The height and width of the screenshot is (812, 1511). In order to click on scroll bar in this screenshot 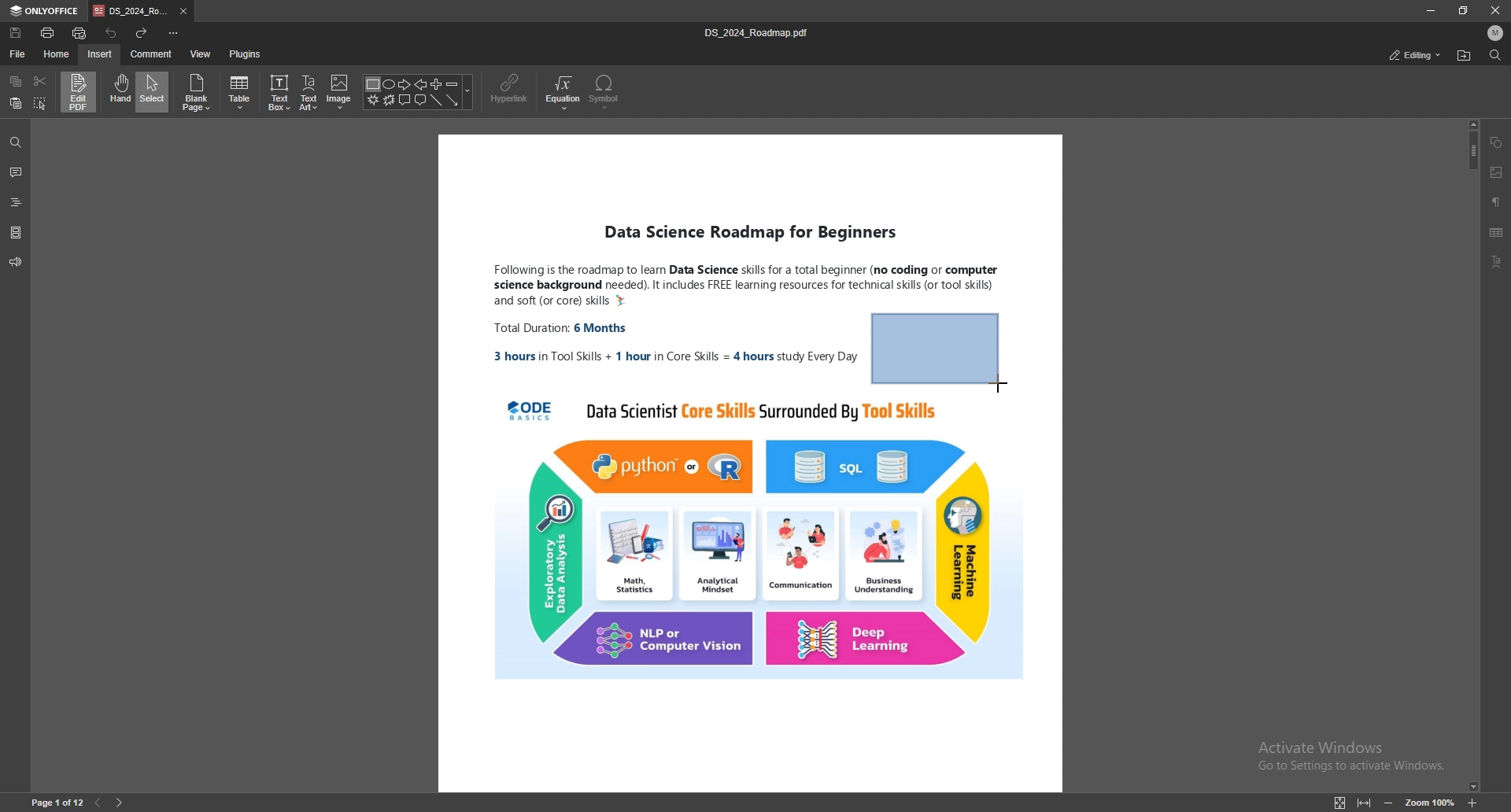, I will do `click(1471, 455)`.